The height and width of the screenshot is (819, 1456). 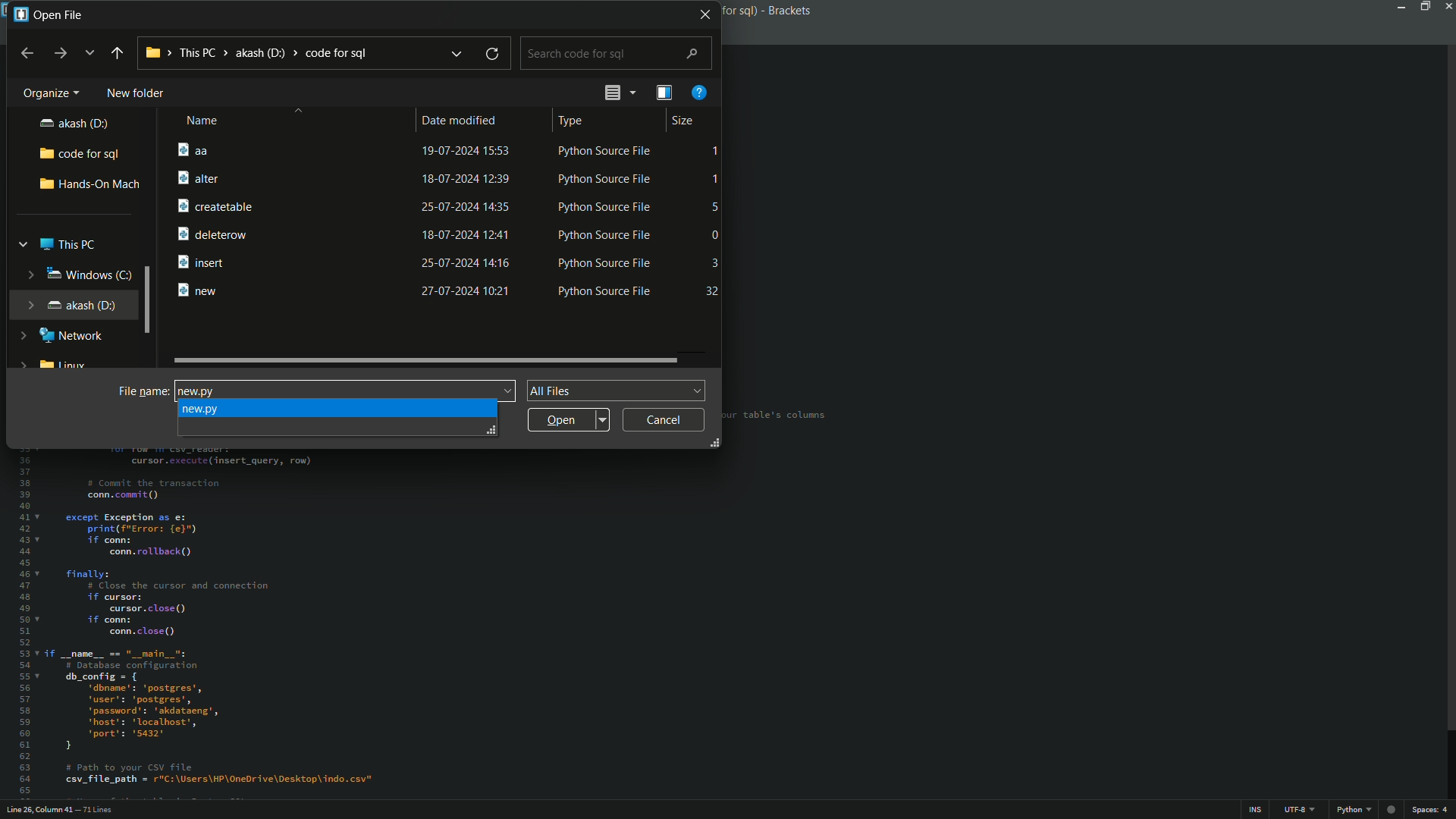 I want to click on refresh, so click(x=491, y=55).